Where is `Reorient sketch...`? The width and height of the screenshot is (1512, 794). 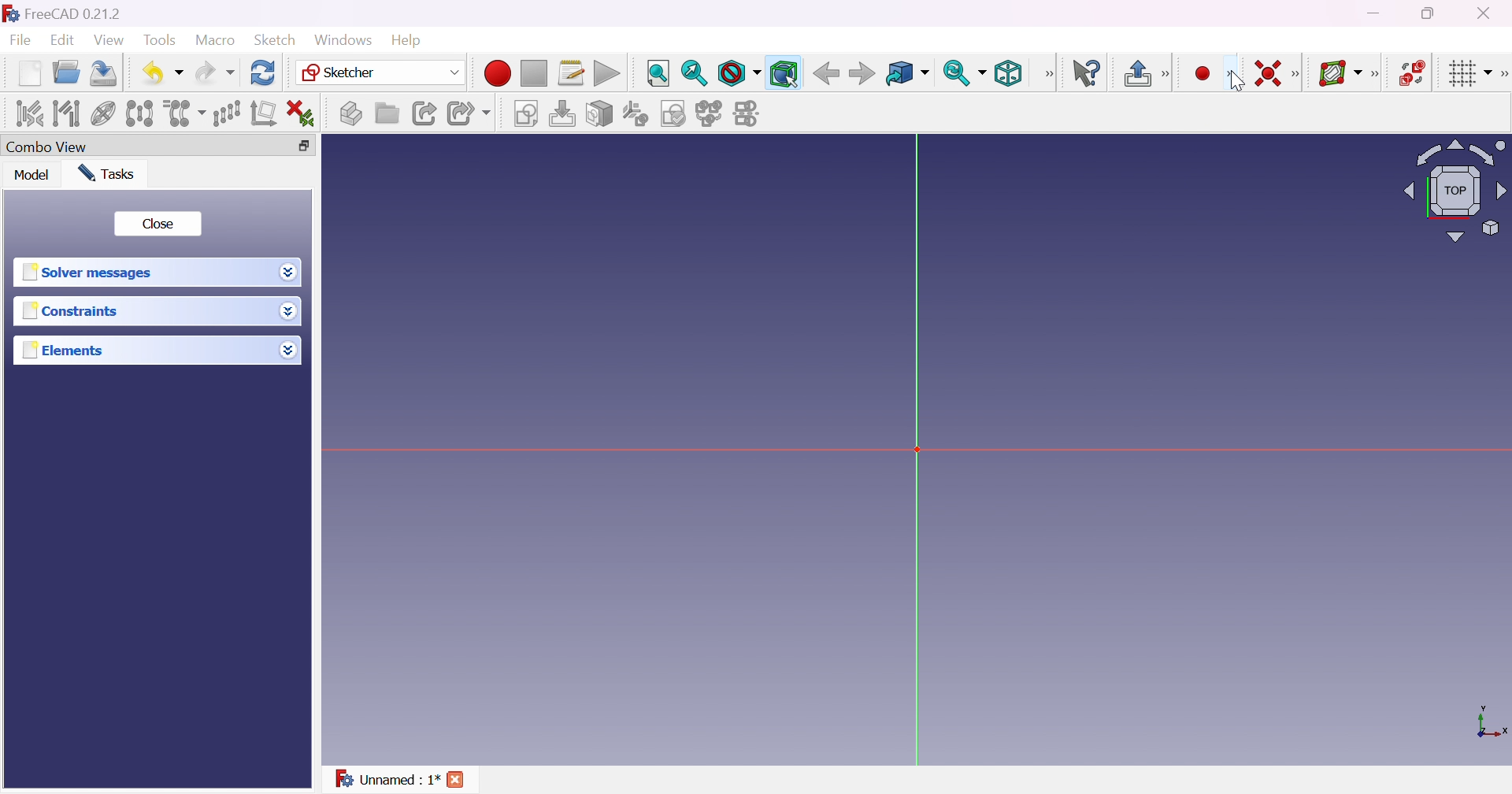 Reorient sketch... is located at coordinates (634, 114).